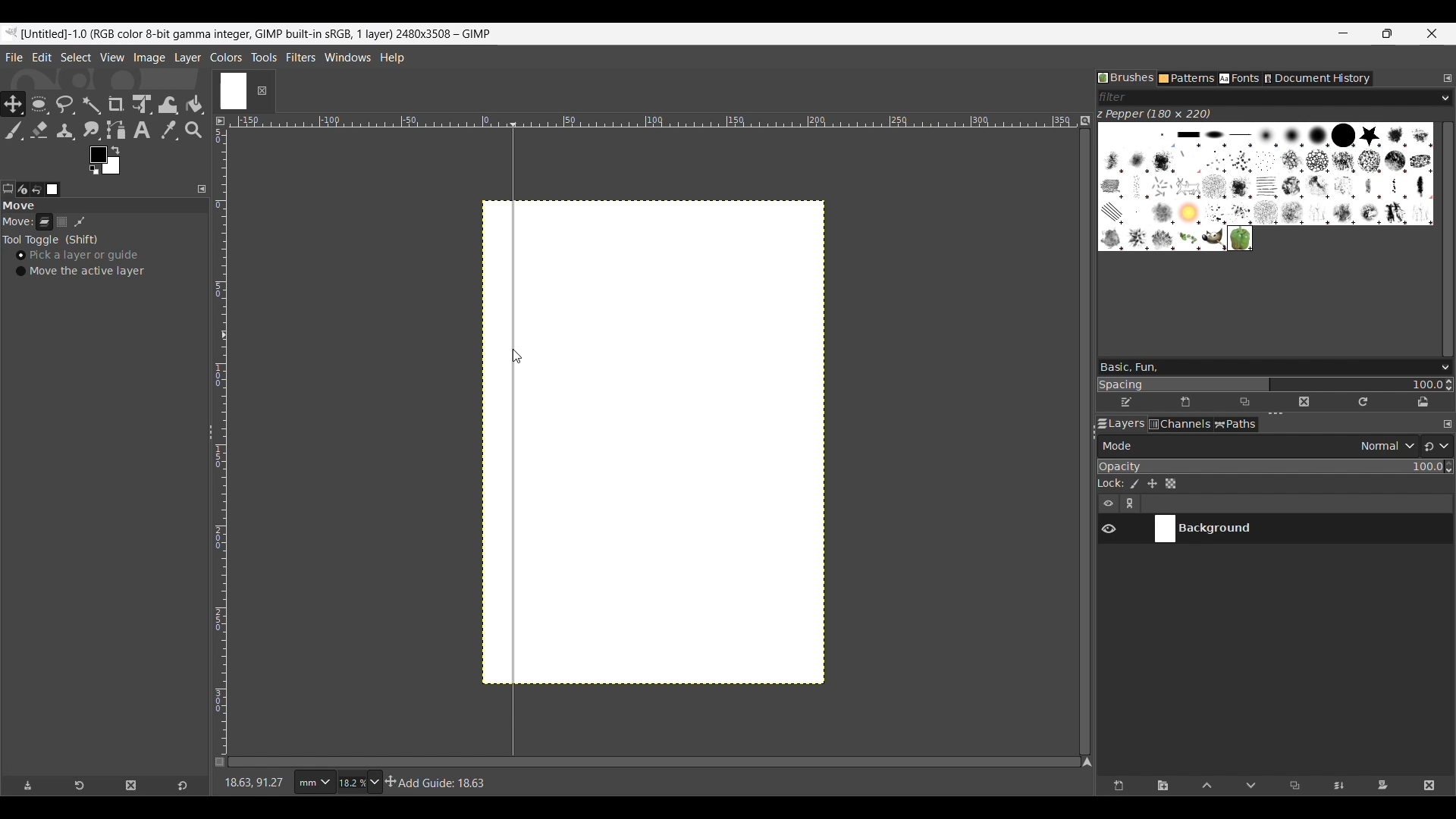 This screenshot has height=819, width=1456. Describe the element at coordinates (64, 104) in the screenshot. I see `Free select tool` at that location.